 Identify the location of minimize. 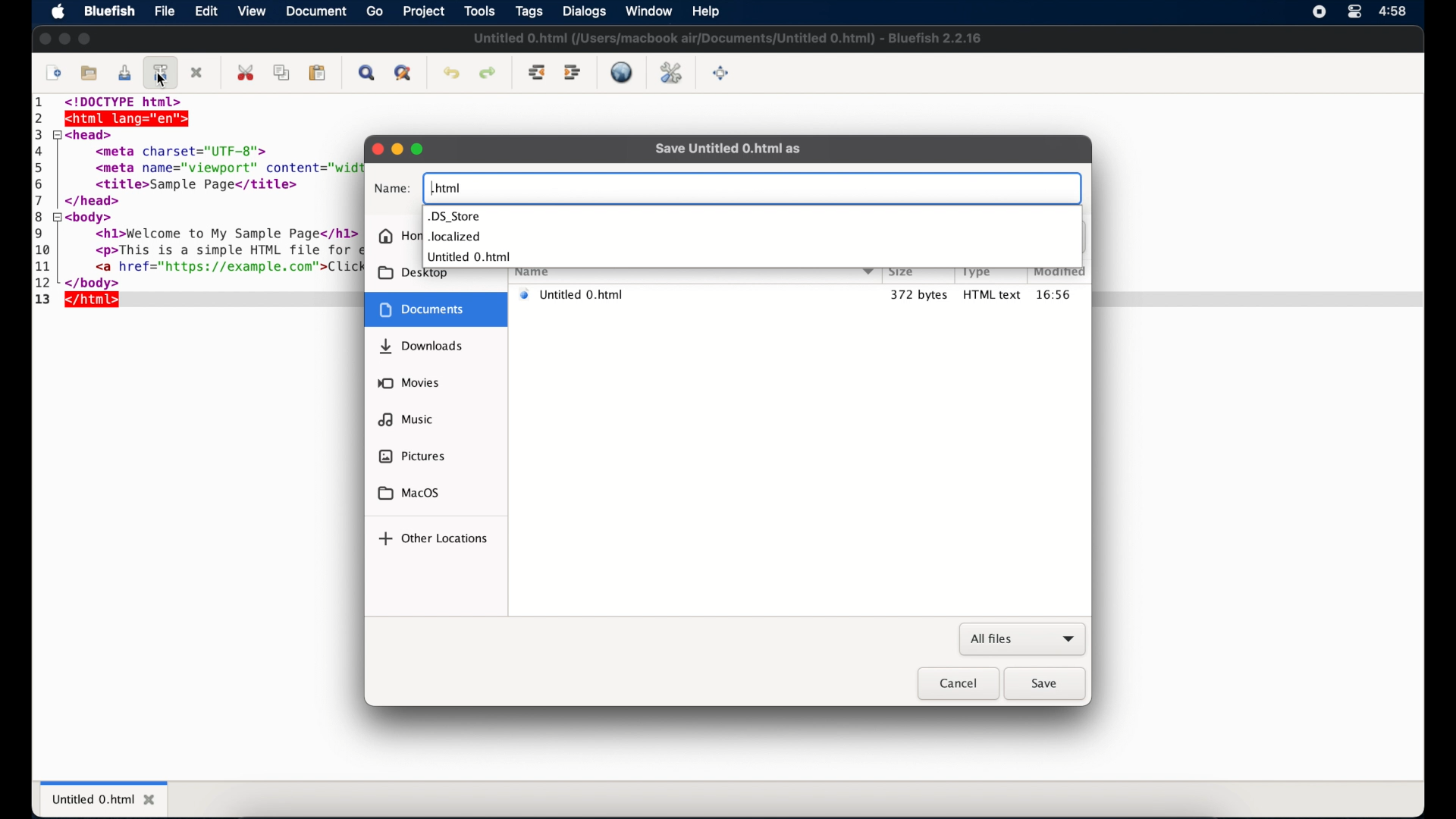
(397, 149).